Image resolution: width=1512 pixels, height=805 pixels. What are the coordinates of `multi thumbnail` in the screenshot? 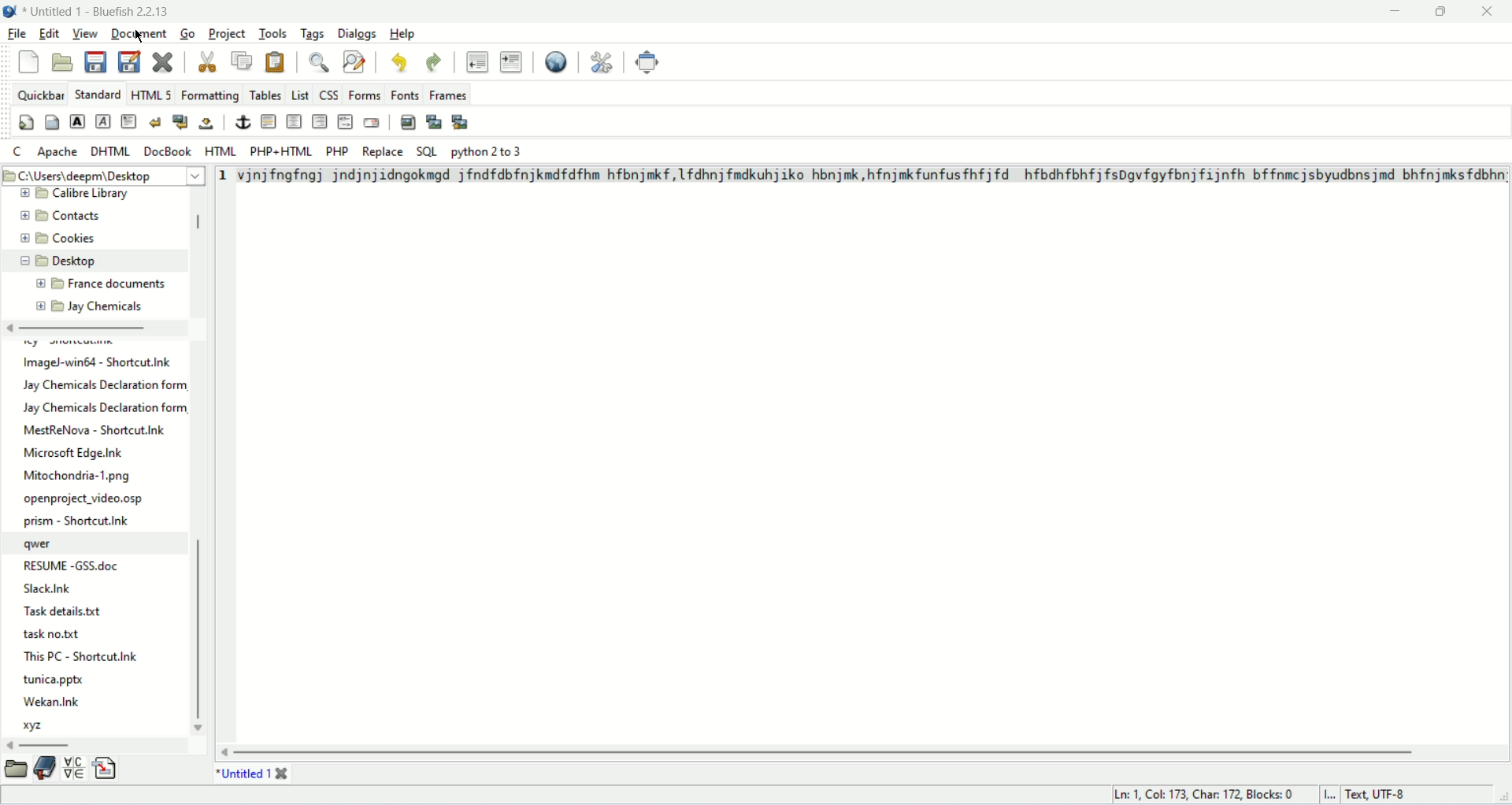 It's located at (461, 121).